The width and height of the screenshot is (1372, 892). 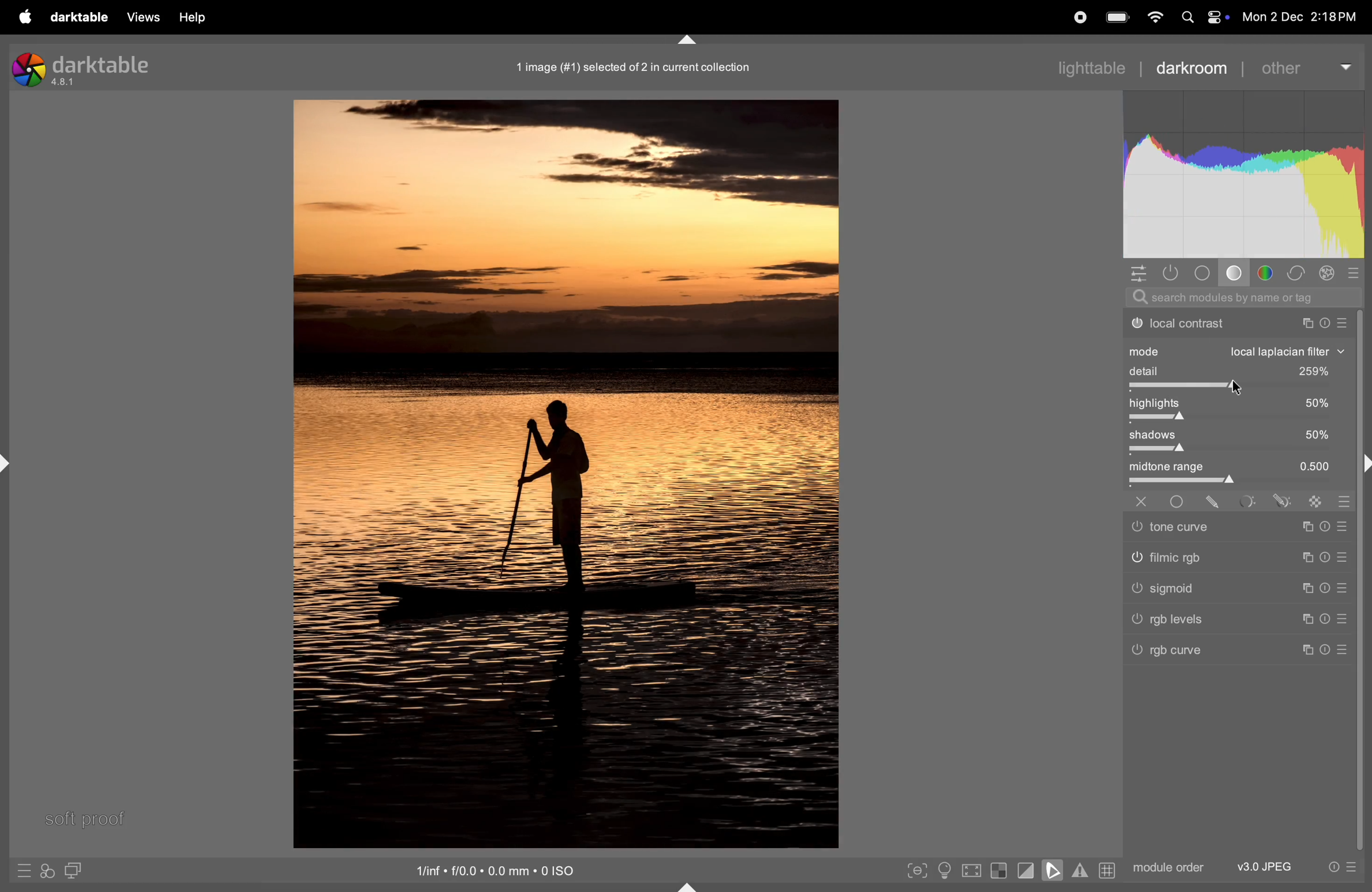 I want to click on show only active modules, so click(x=1171, y=273).